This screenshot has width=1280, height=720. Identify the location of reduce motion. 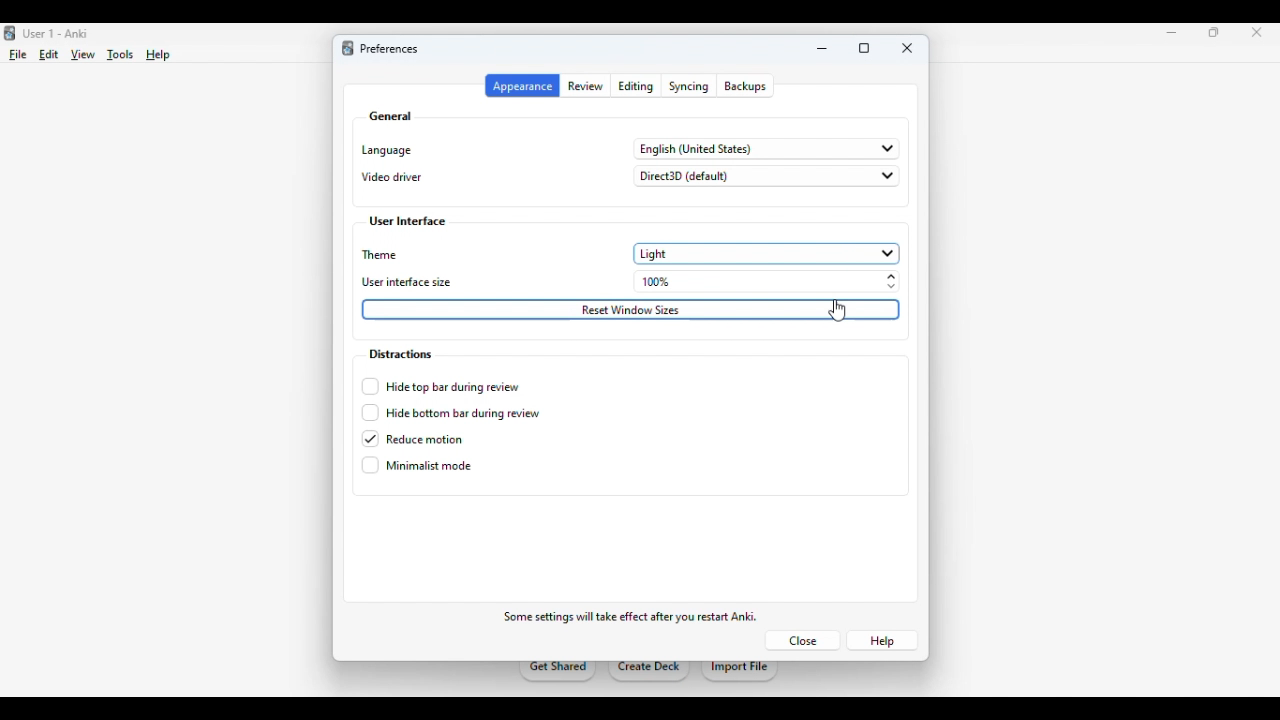
(413, 439).